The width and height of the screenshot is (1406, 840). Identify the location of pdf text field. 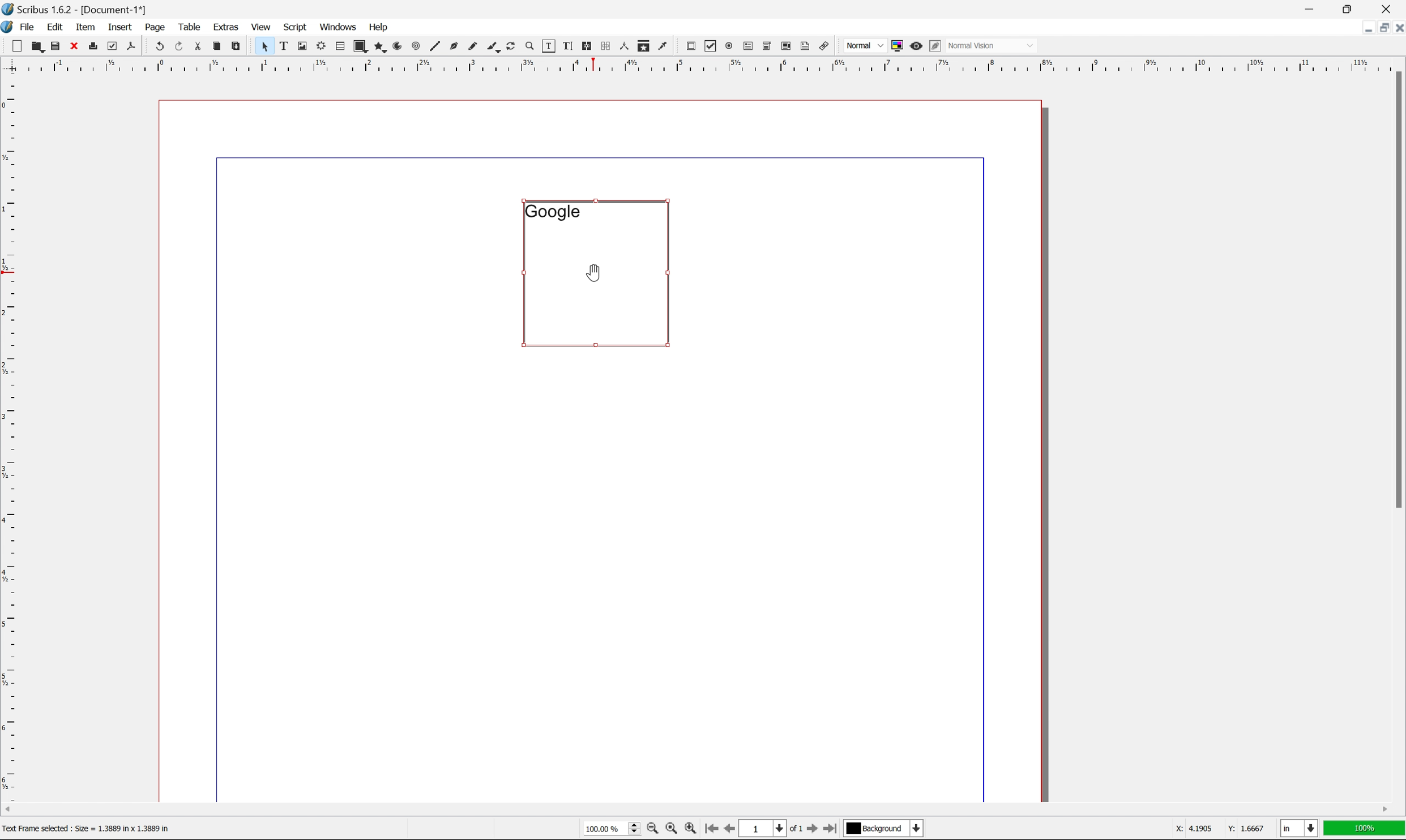
(746, 47).